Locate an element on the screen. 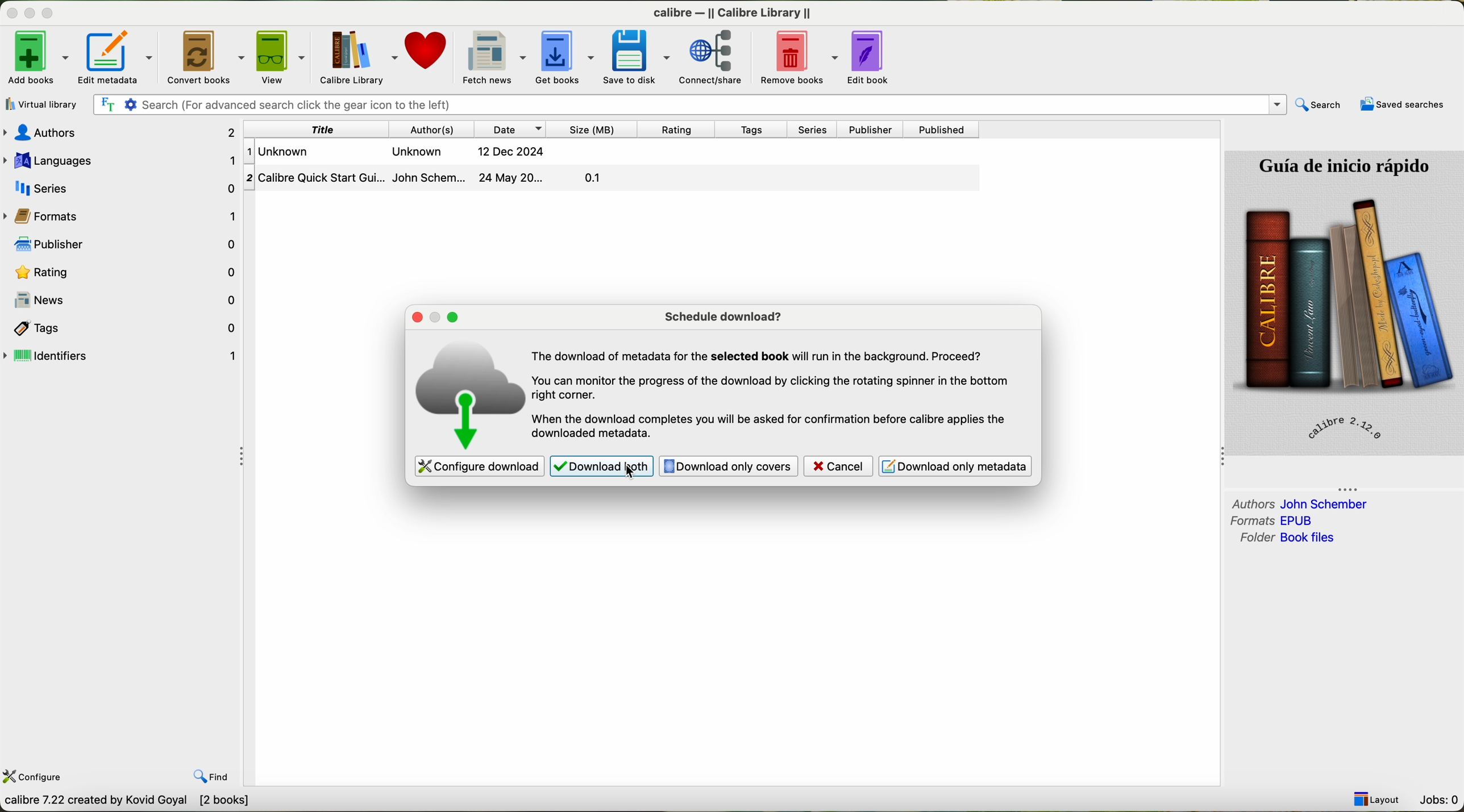 Image resolution: width=1464 pixels, height=812 pixels. date is located at coordinates (510, 129).